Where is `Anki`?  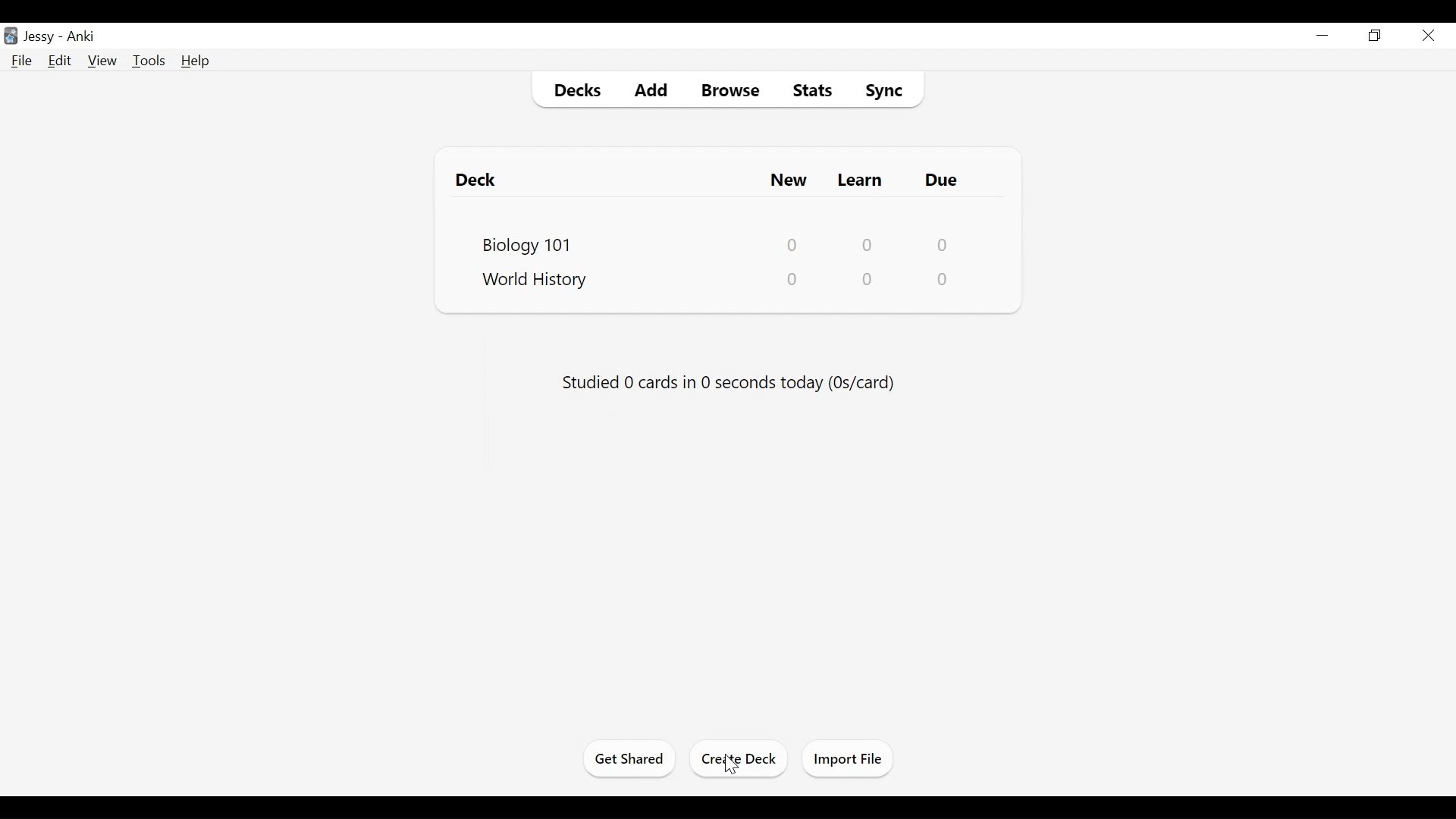
Anki is located at coordinates (85, 36).